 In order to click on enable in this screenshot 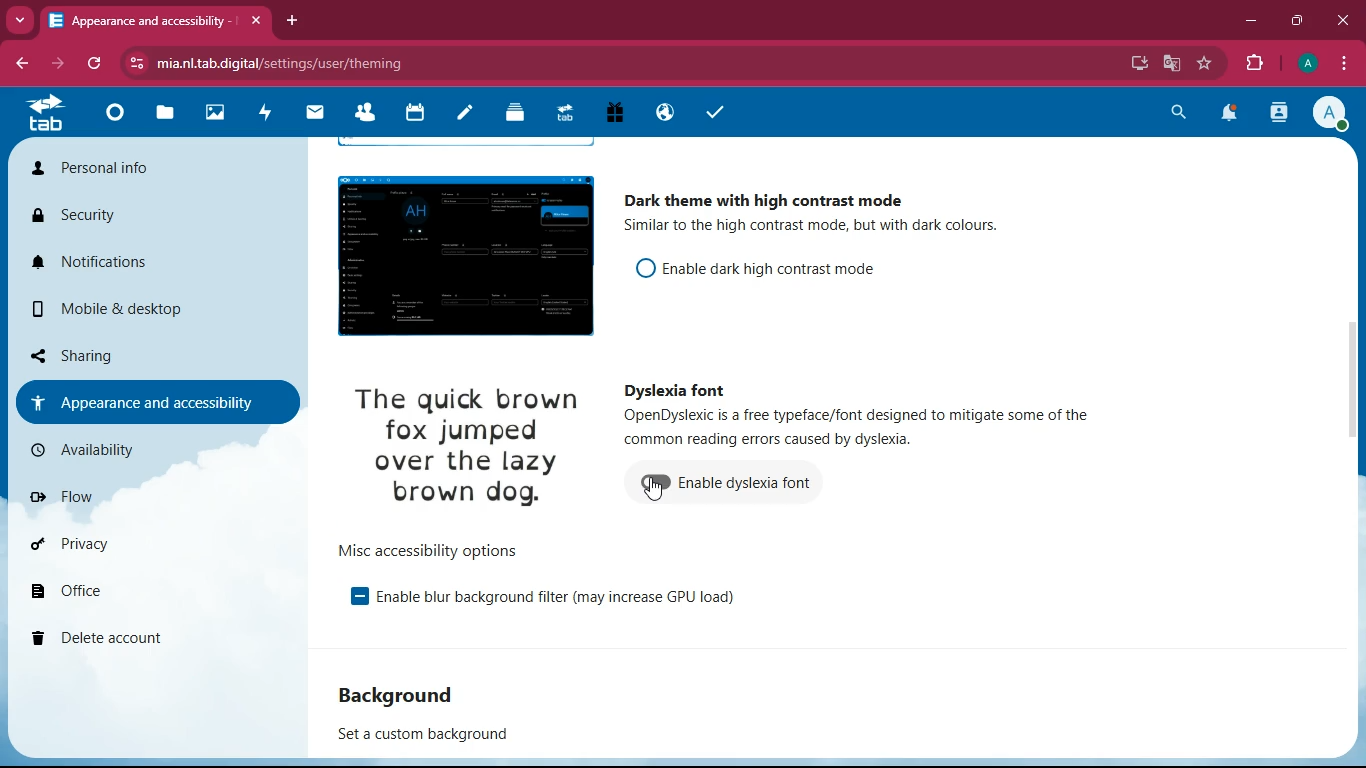, I will do `click(750, 486)`.